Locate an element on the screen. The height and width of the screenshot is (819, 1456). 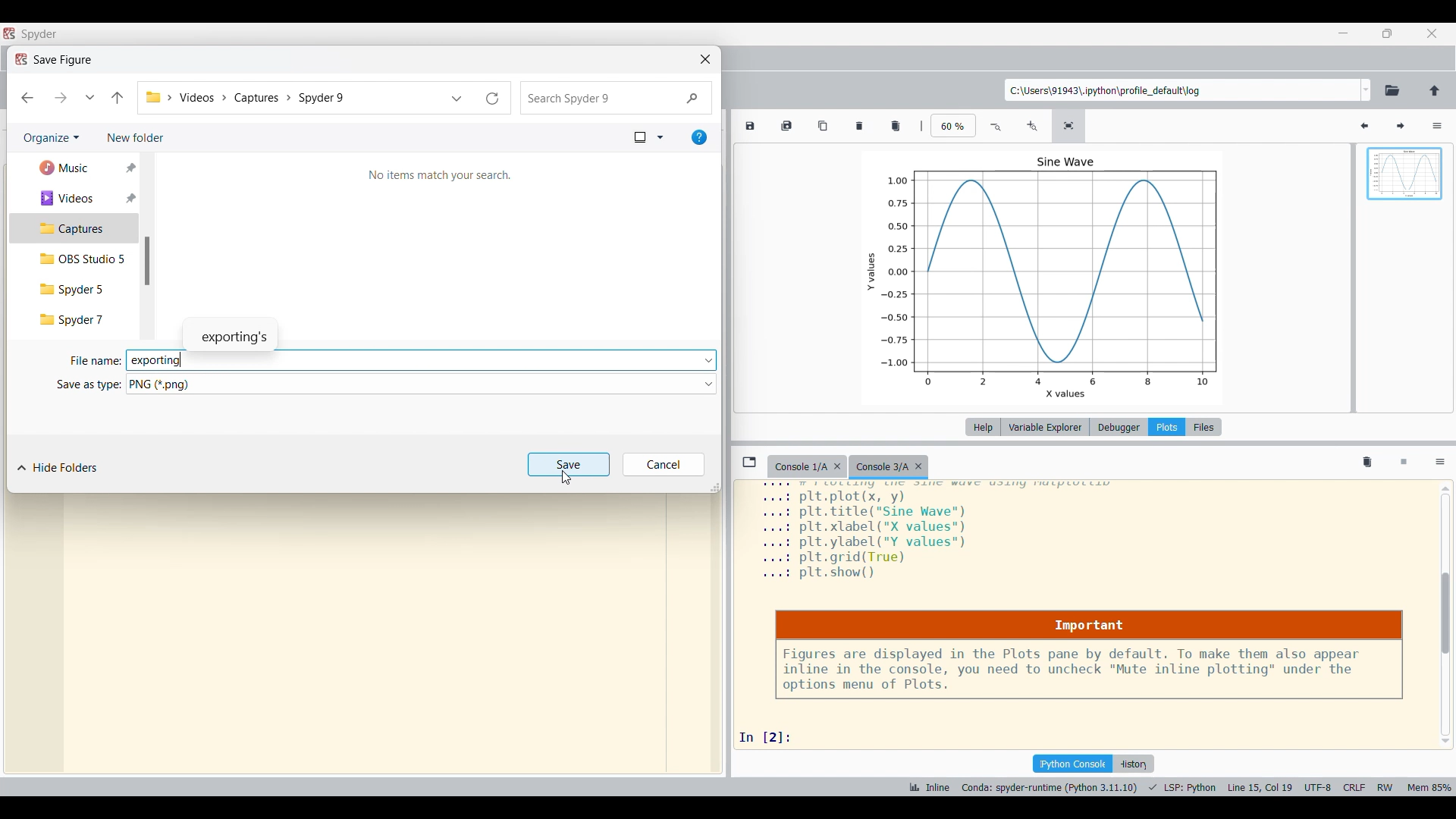
Input zoom factor is located at coordinates (954, 125).